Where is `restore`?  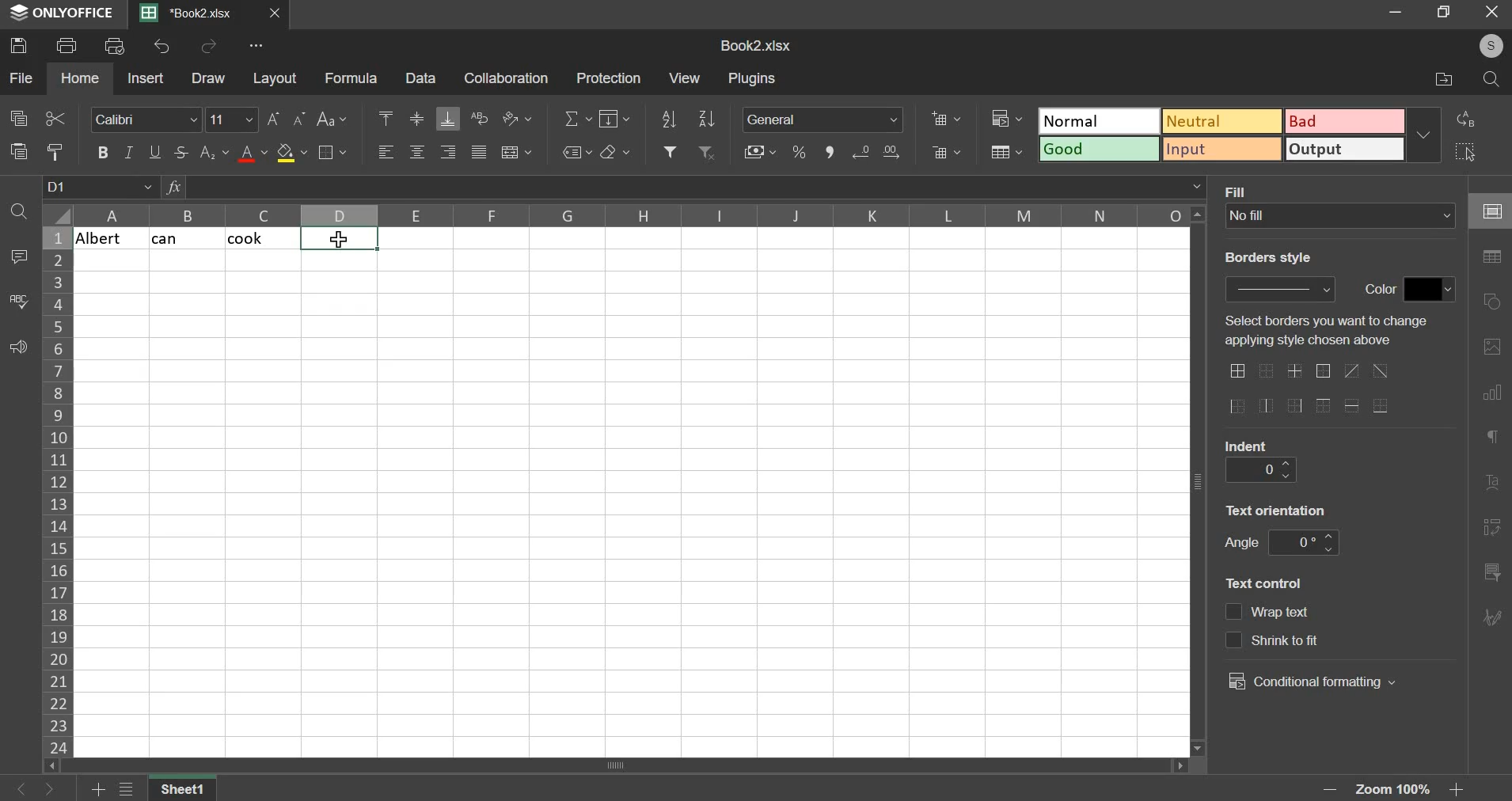 restore is located at coordinates (1442, 13).